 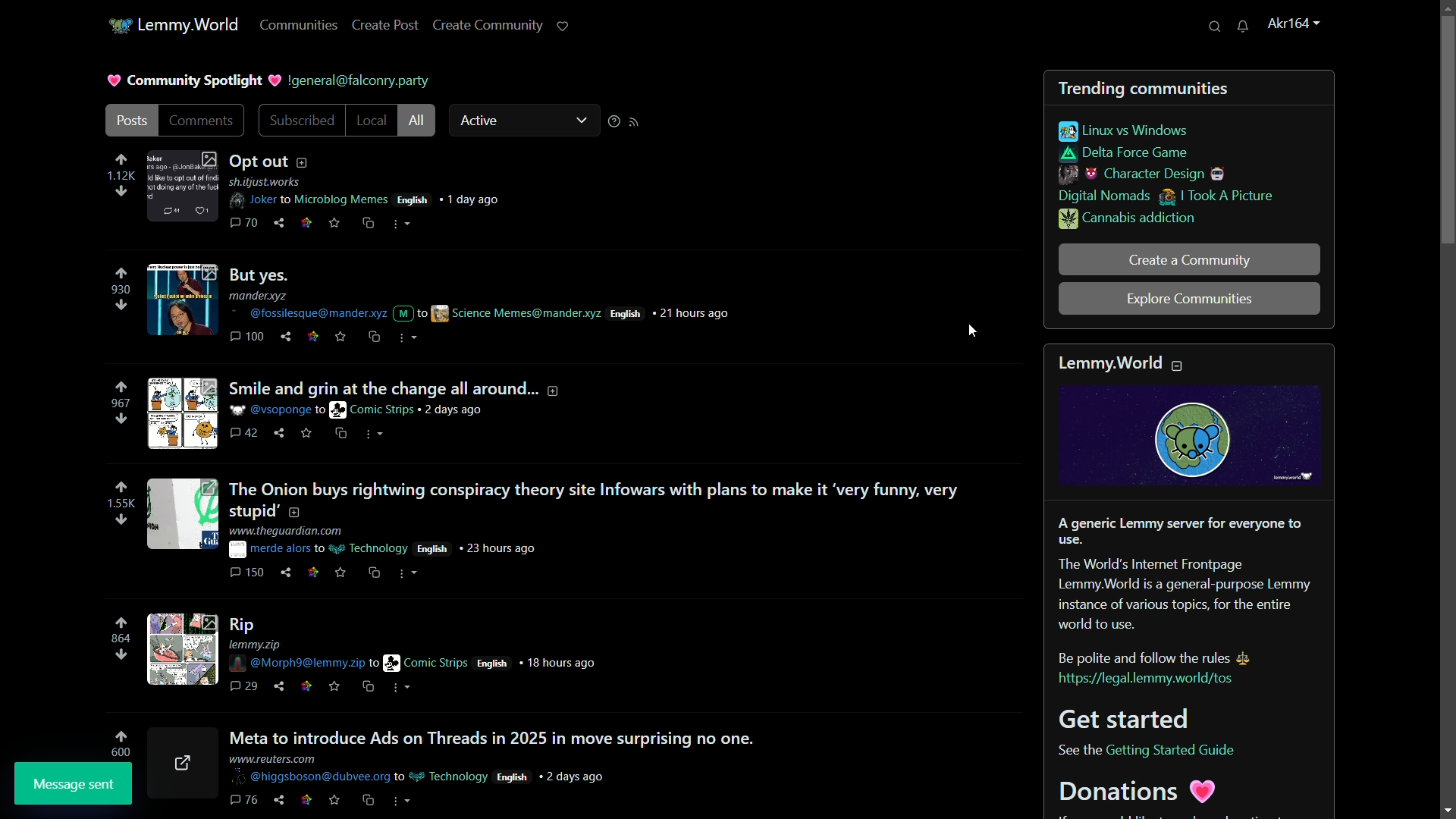 I want to click on downvote, so click(x=122, y=419).